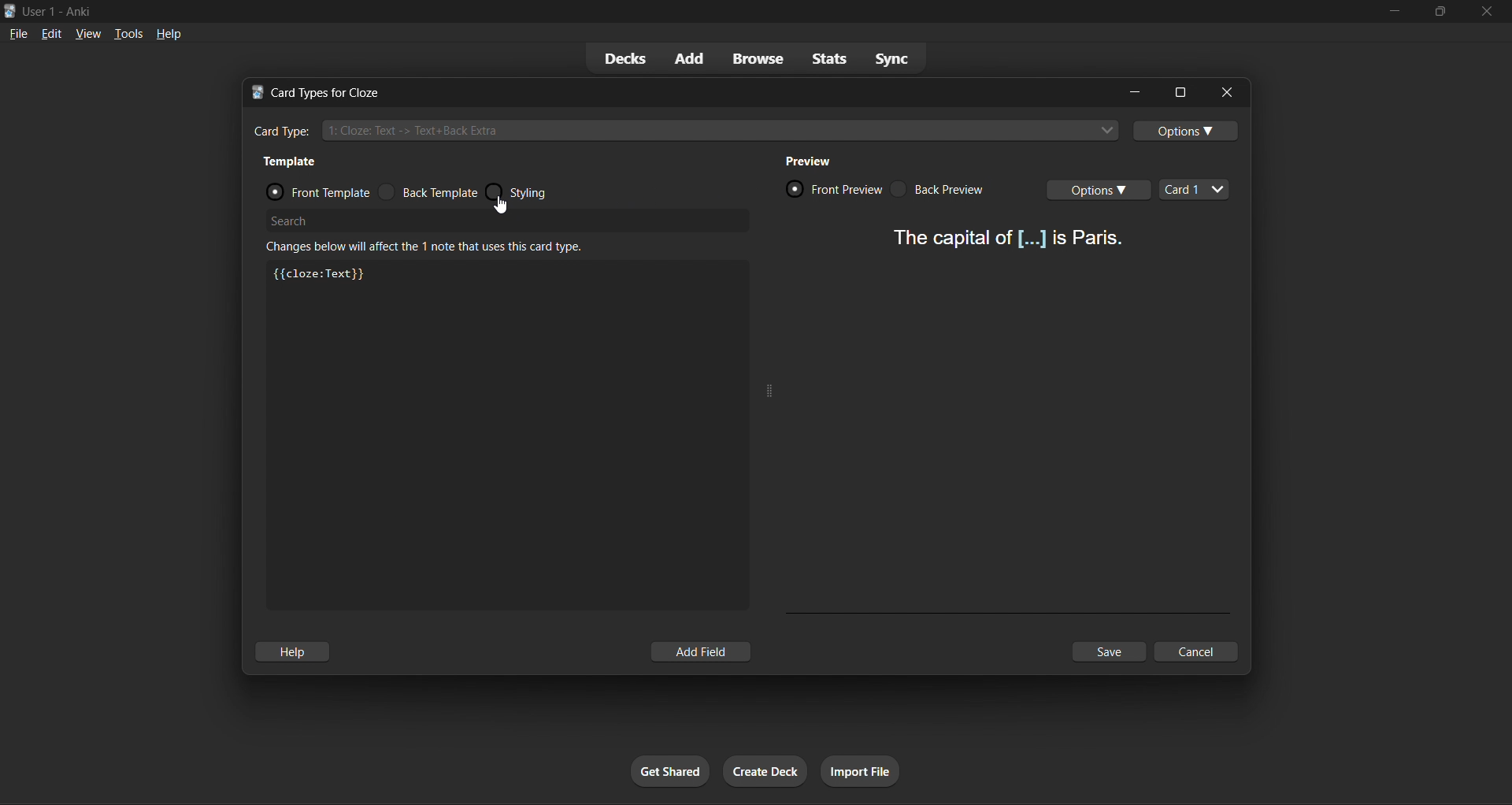 Image resolution: width=1512 pixels, height=805 pixels. Describe the element at coordinates (552, 192) in the screenshot. I see `styling radio button` at that location.